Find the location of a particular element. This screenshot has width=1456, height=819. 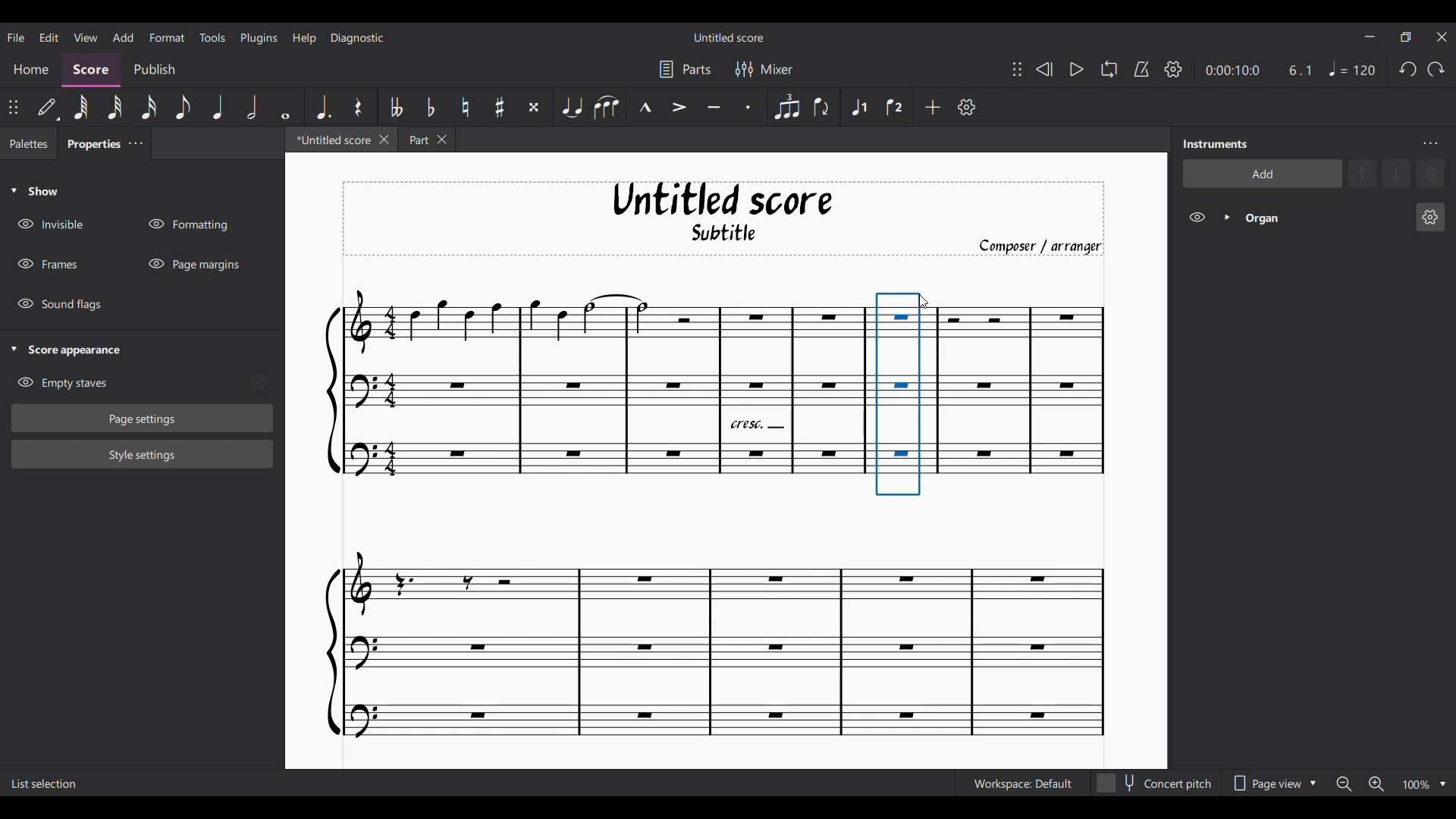

Palettes tab is located at coordinates (29, 143).